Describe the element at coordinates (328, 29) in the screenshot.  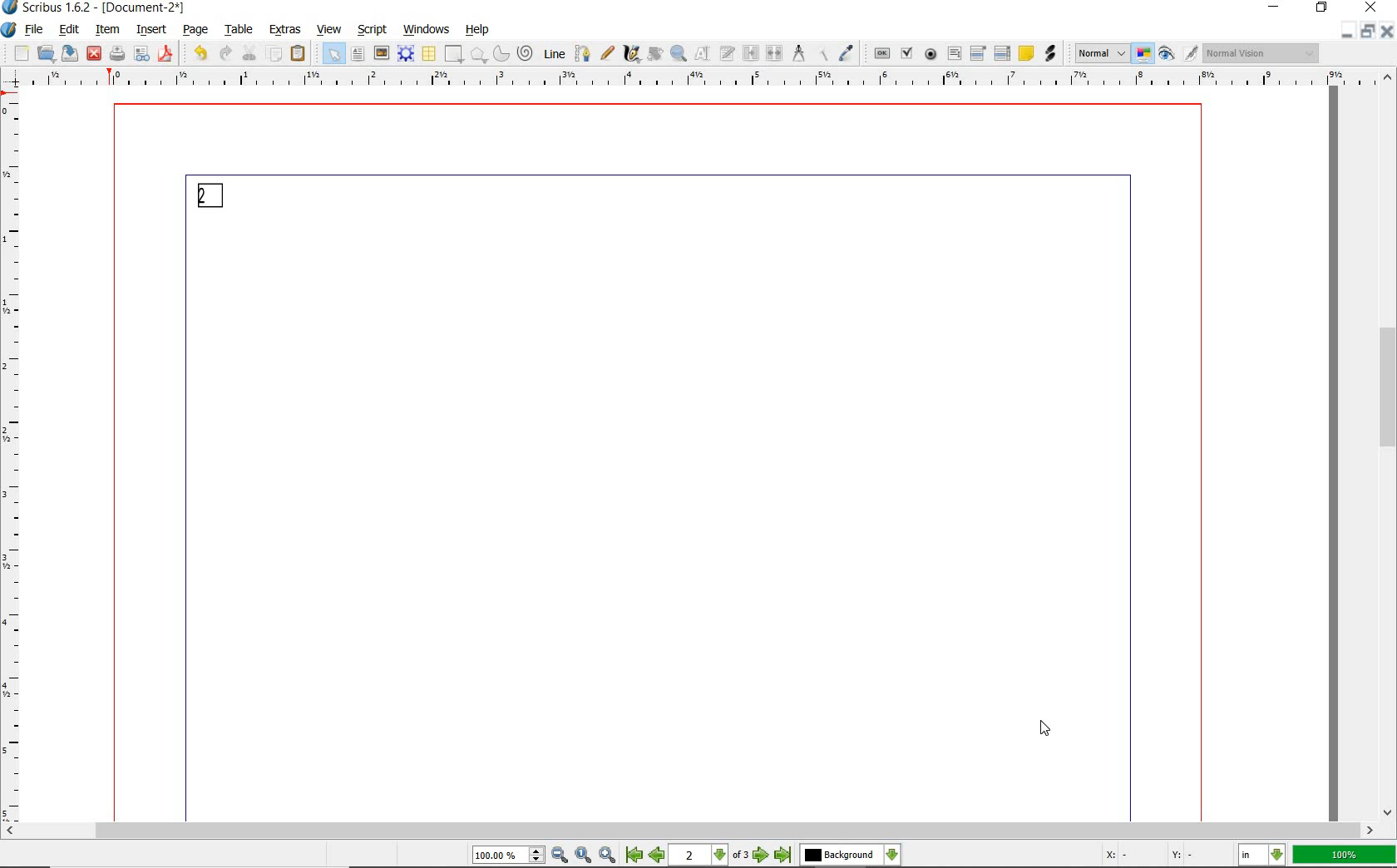
I see `view` at that location.